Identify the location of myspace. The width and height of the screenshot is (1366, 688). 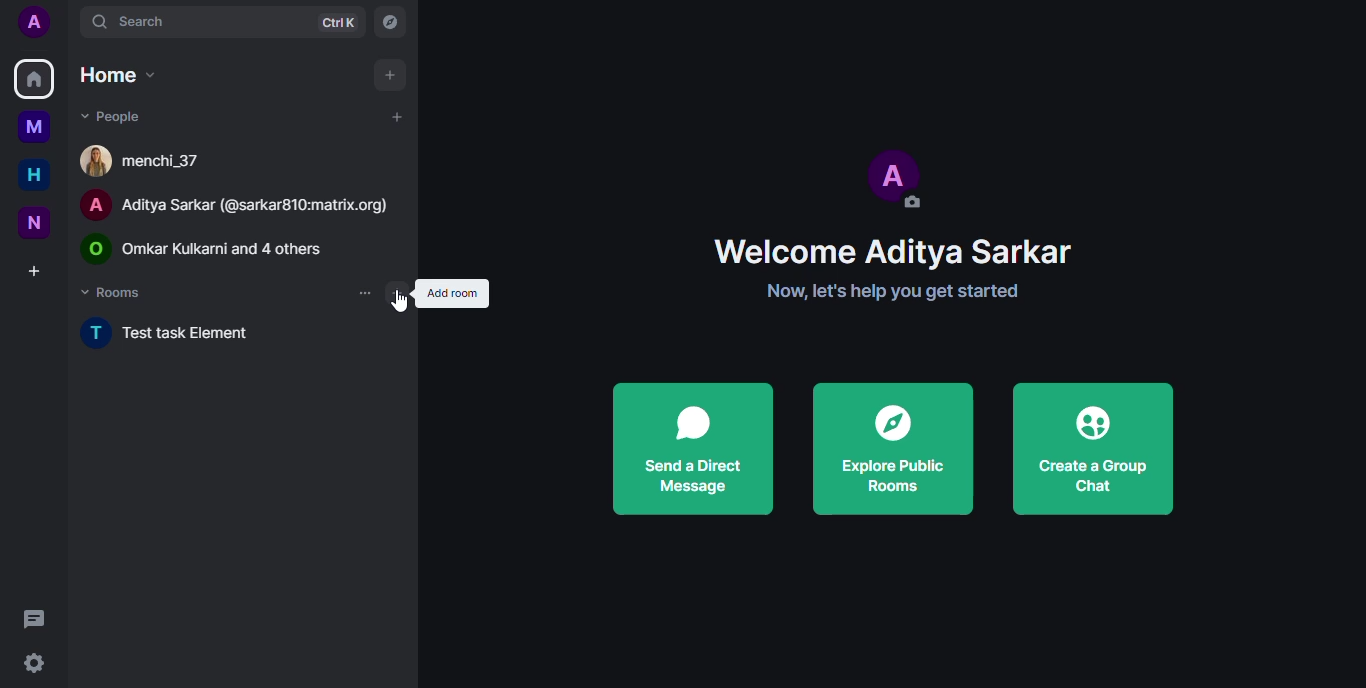
(34, 127).